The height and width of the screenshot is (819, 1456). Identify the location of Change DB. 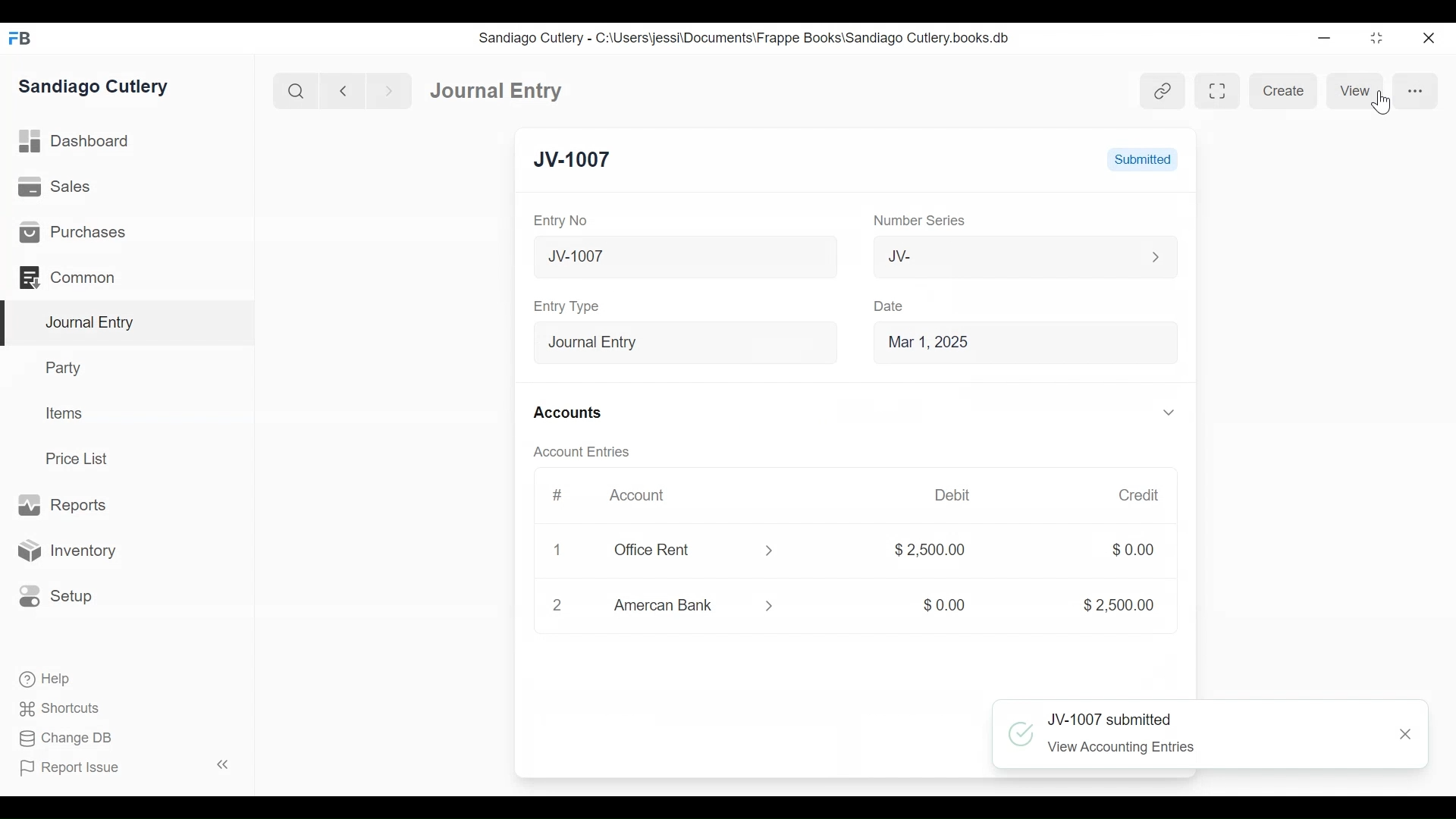
(59, 739).